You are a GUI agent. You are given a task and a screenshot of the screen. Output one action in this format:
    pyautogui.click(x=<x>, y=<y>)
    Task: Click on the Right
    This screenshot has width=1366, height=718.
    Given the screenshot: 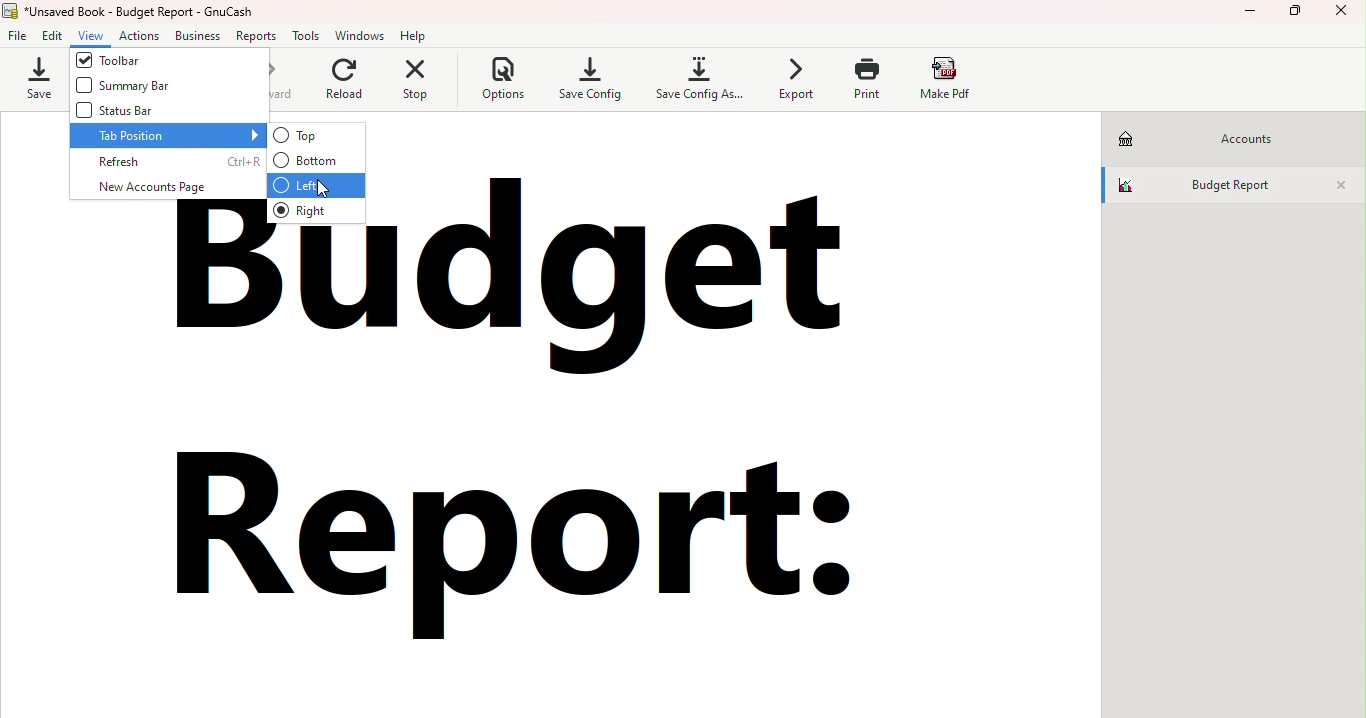 What is the action you would take?
    pyautogui.click(x=313, y=209)
    